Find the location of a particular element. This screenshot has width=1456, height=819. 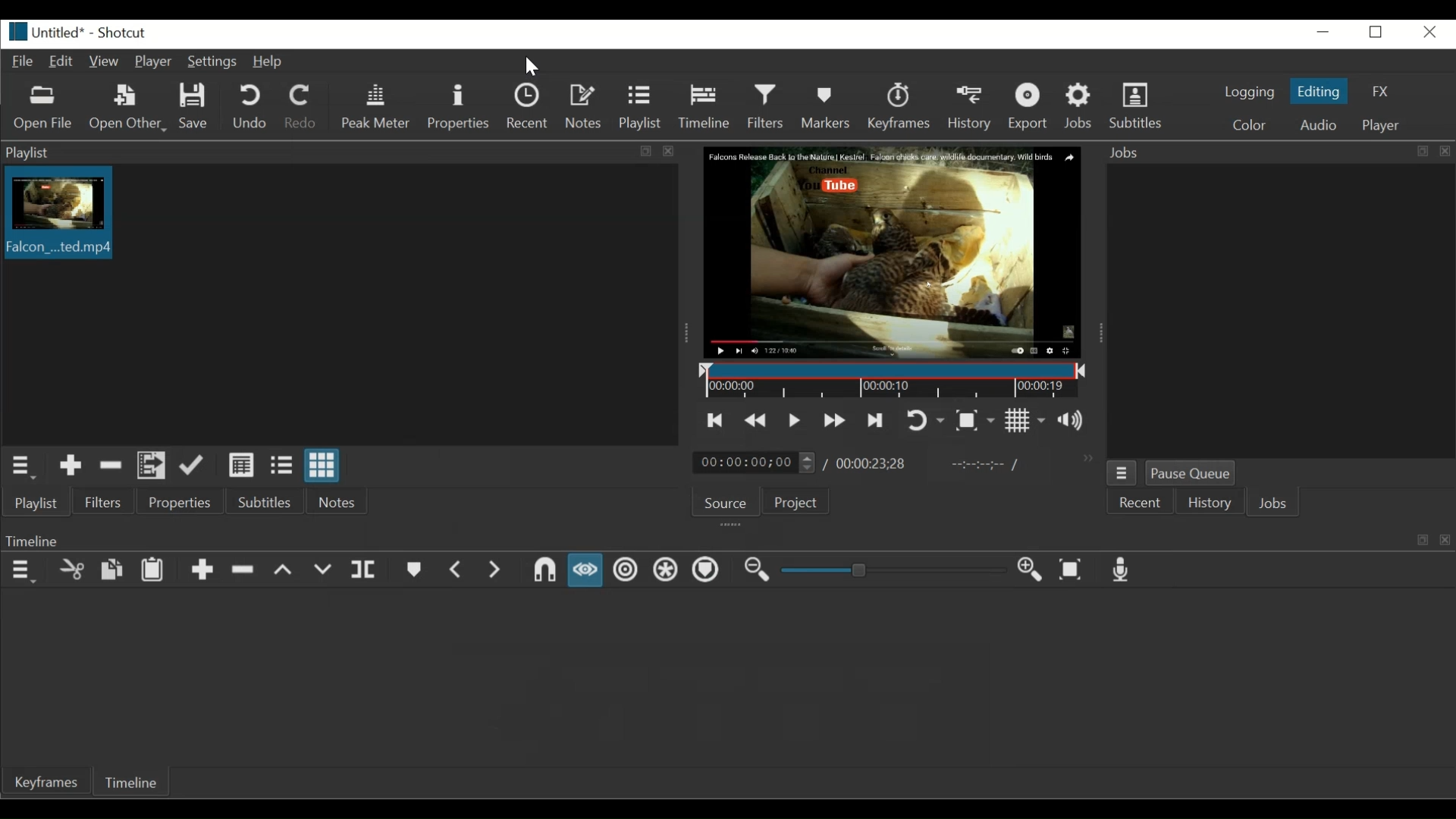

Playlist menu is located at coordinates (21, 468).